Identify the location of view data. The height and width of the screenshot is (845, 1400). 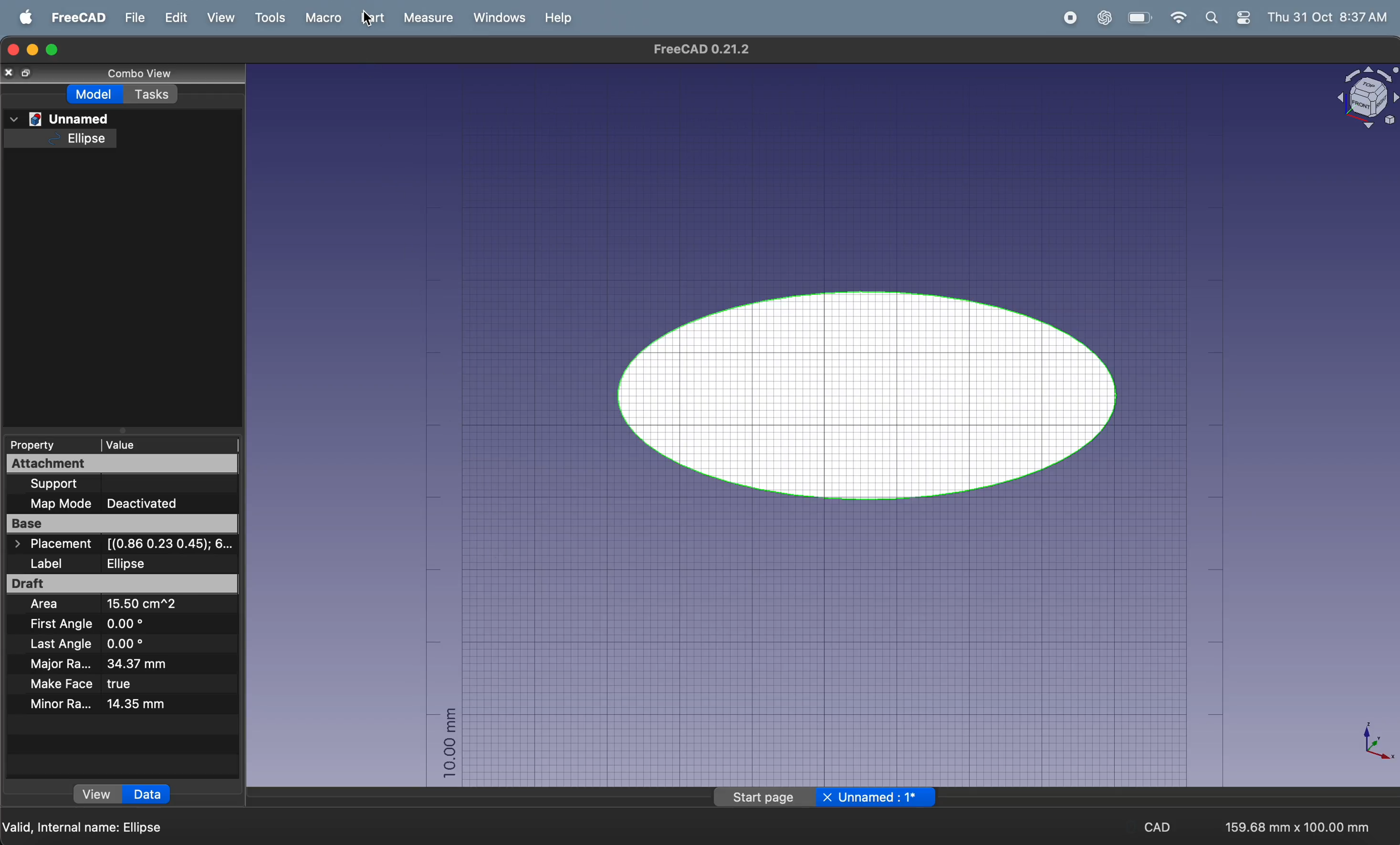
(121, 794).